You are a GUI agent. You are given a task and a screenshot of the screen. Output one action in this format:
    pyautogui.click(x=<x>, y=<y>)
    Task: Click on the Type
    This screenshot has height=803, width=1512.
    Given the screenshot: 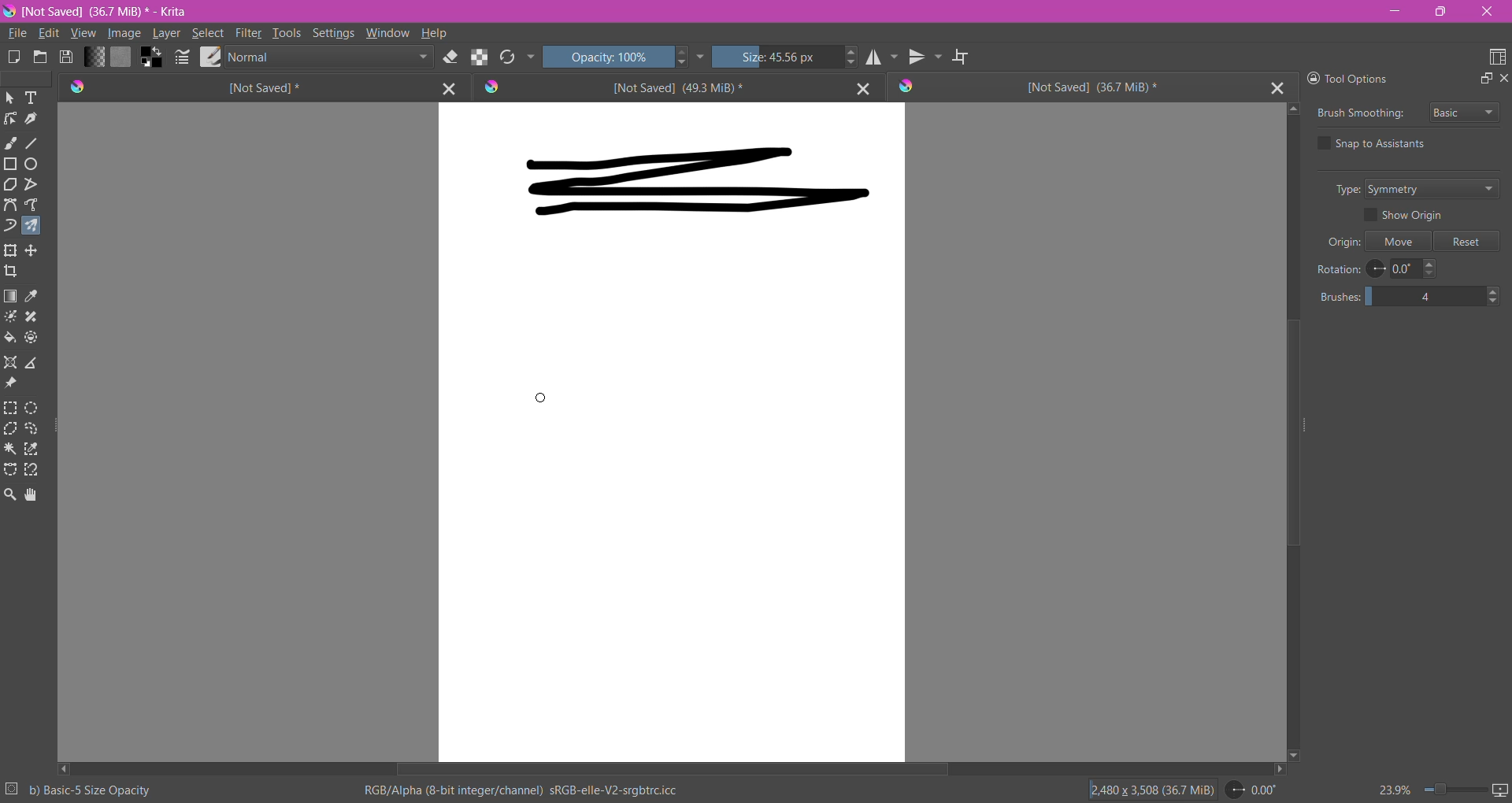 What is the action you would take?
    pyautogui.click(x=1343, y=189)
    